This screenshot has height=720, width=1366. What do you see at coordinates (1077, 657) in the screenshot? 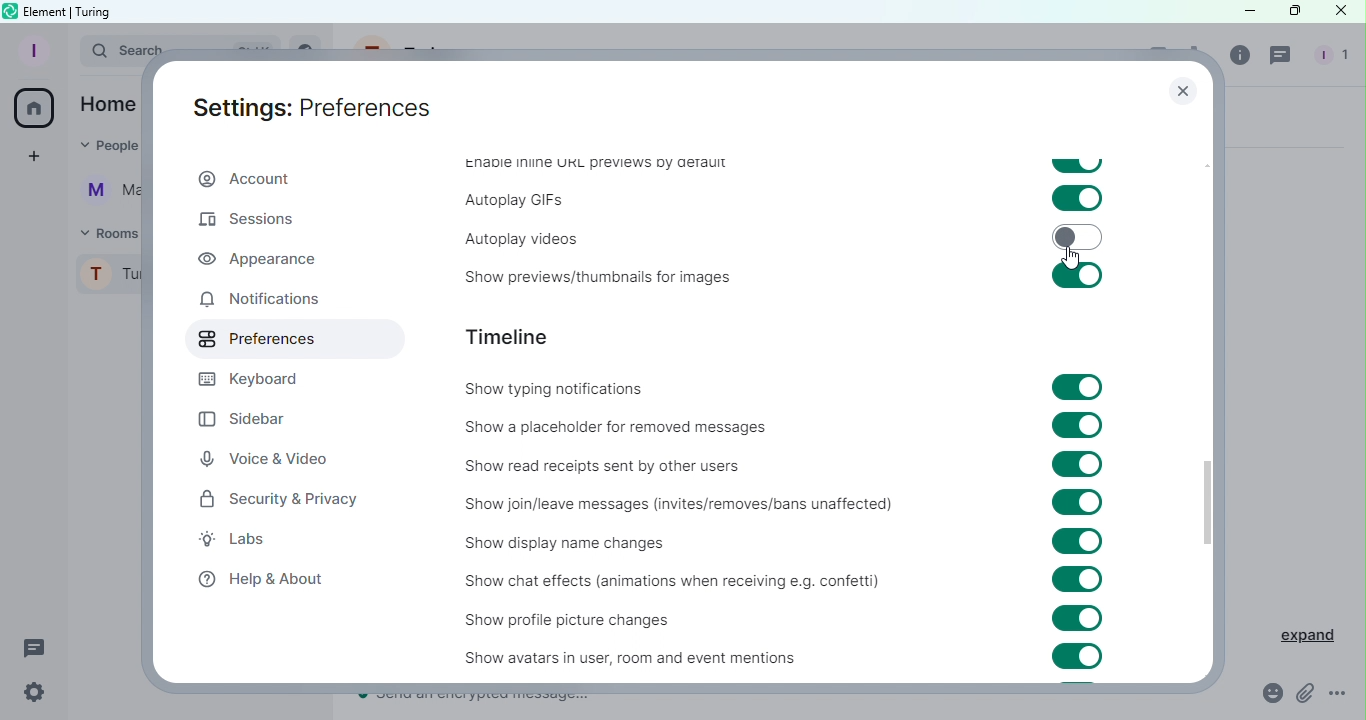
I see `Toggle` at bounding box center [1077, 657].